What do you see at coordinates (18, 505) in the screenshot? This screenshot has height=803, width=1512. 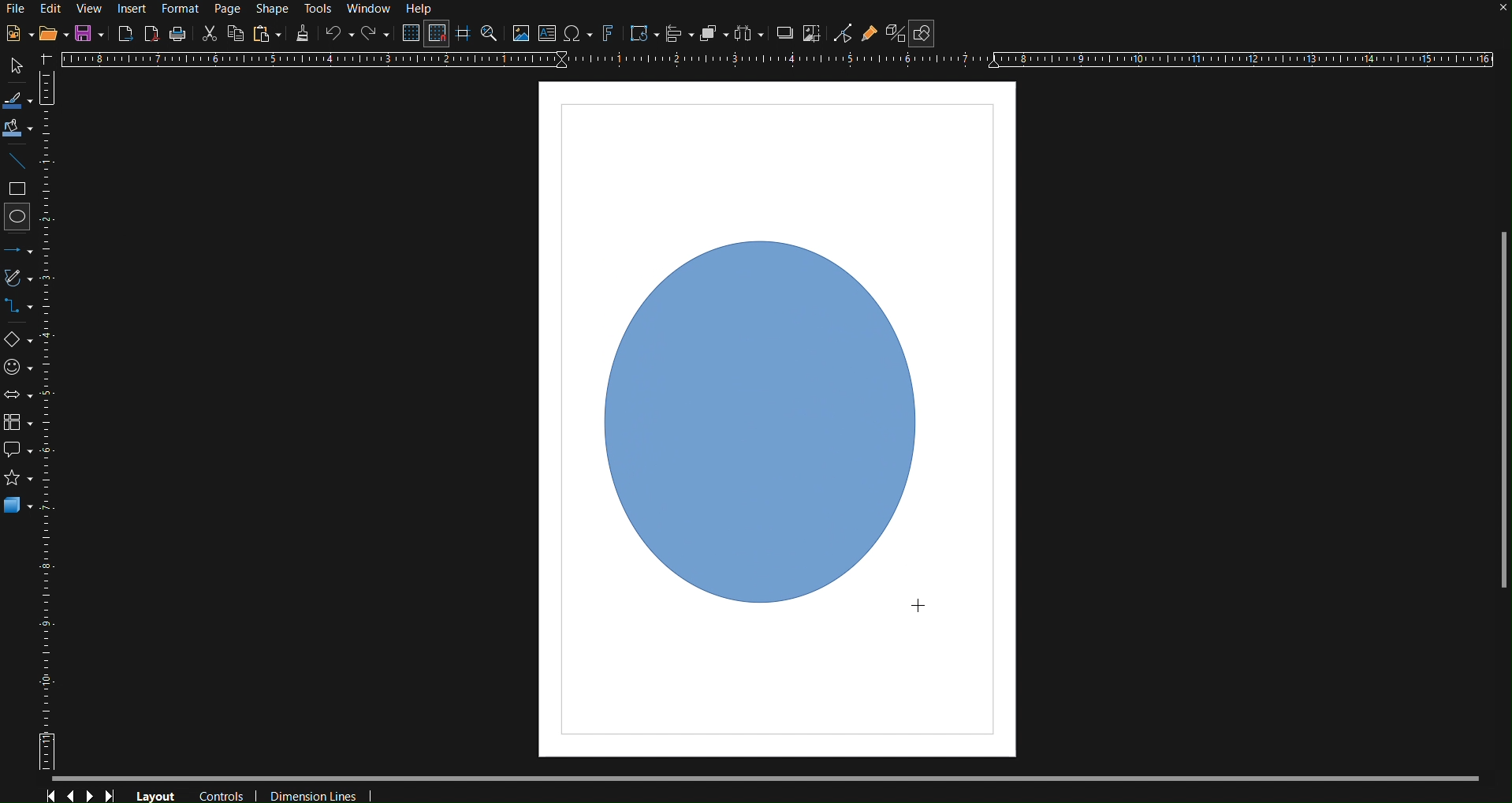 I see `3D Objects` at bounding box center [18, 505].